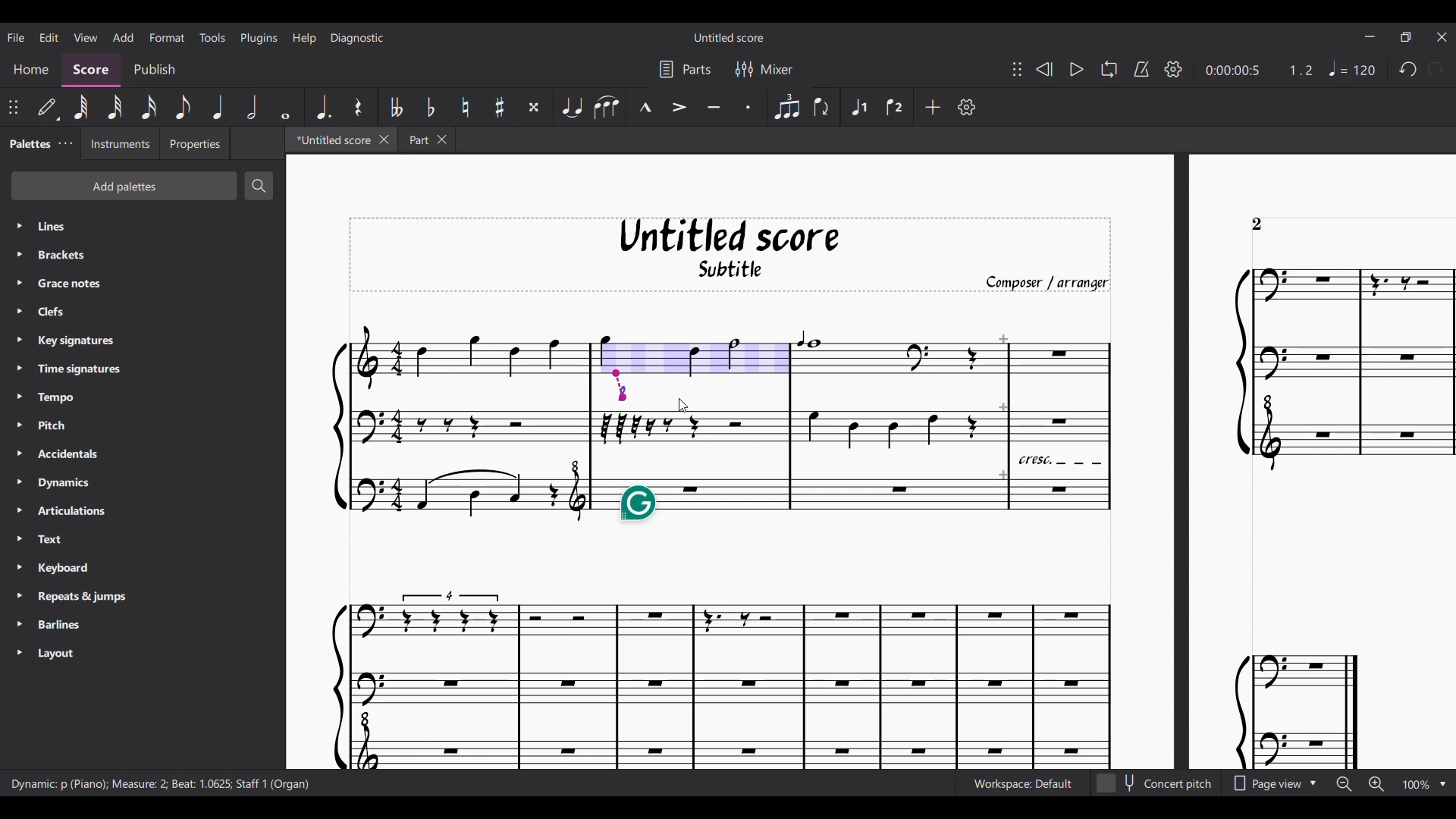  What do you see at coordinates (1017, 69) in the screenshot?
I see `Change position of toolbar` at bounding box center [1017, 69].